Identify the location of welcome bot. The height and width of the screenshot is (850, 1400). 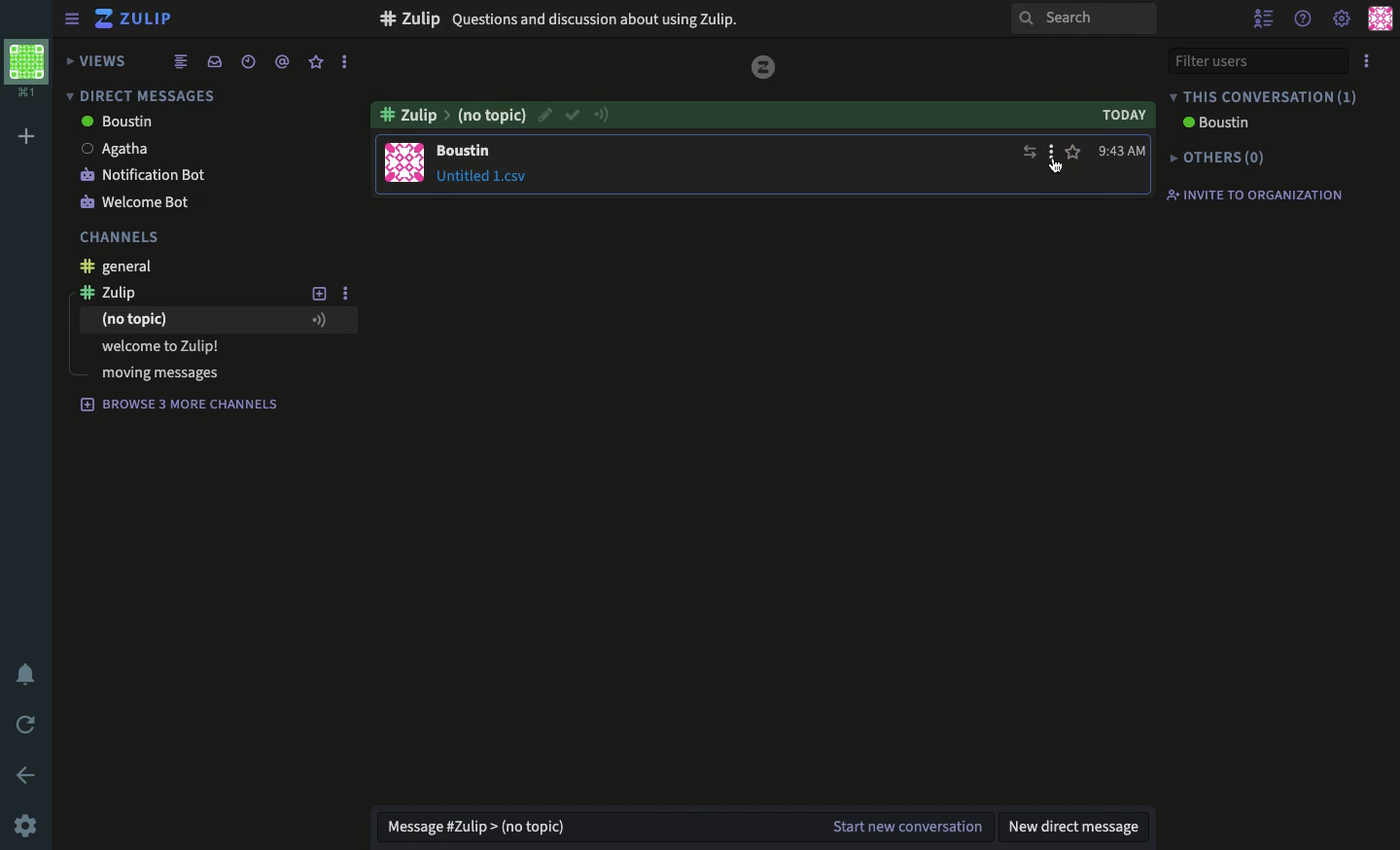
(139, 202).